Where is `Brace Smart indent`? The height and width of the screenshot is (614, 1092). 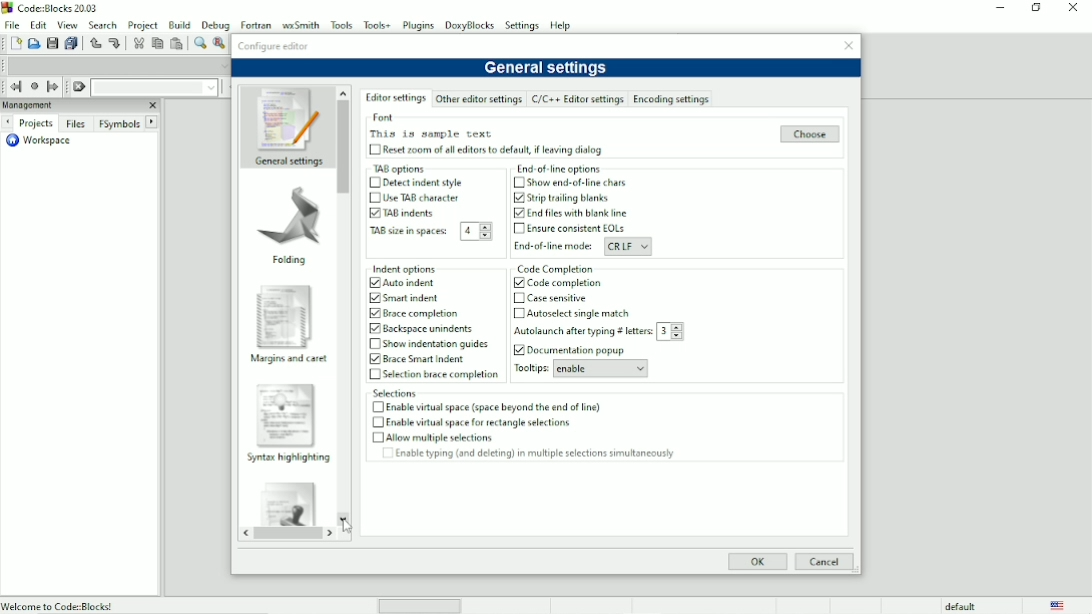
Brace Smart indent is located at coordinates (425, 359).